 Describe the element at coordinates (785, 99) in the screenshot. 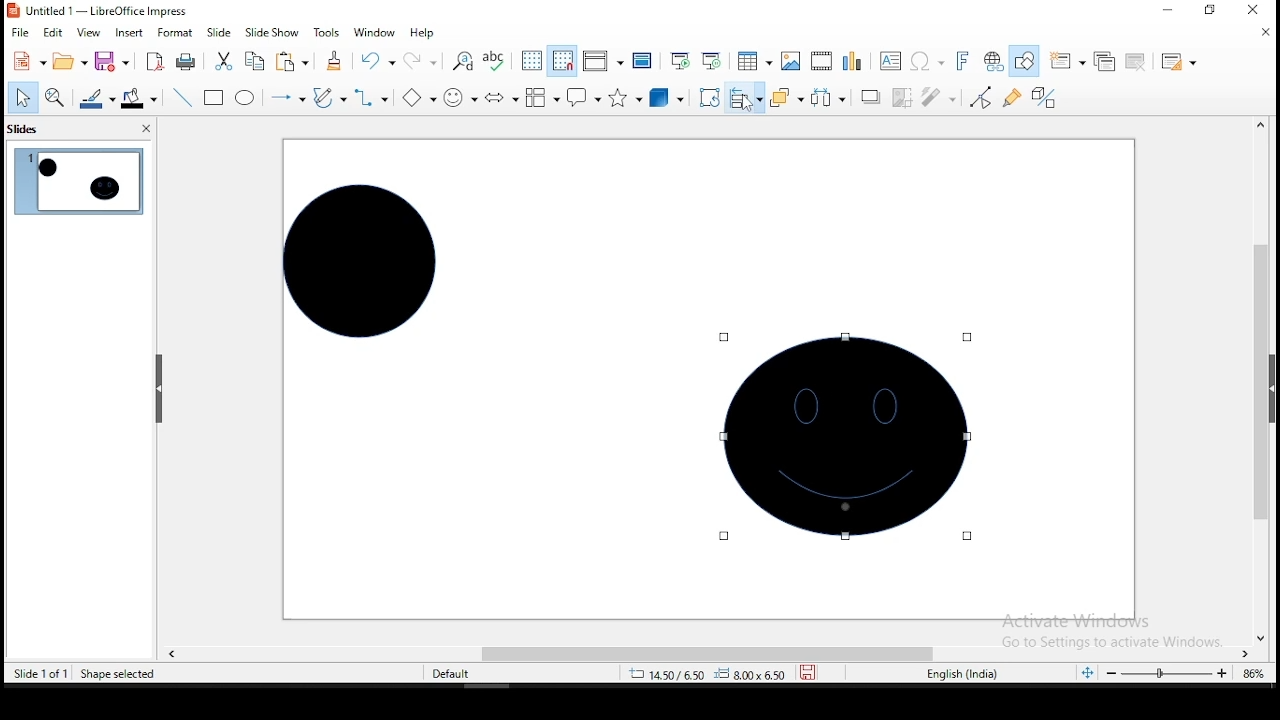

I see `arrange` at that location.